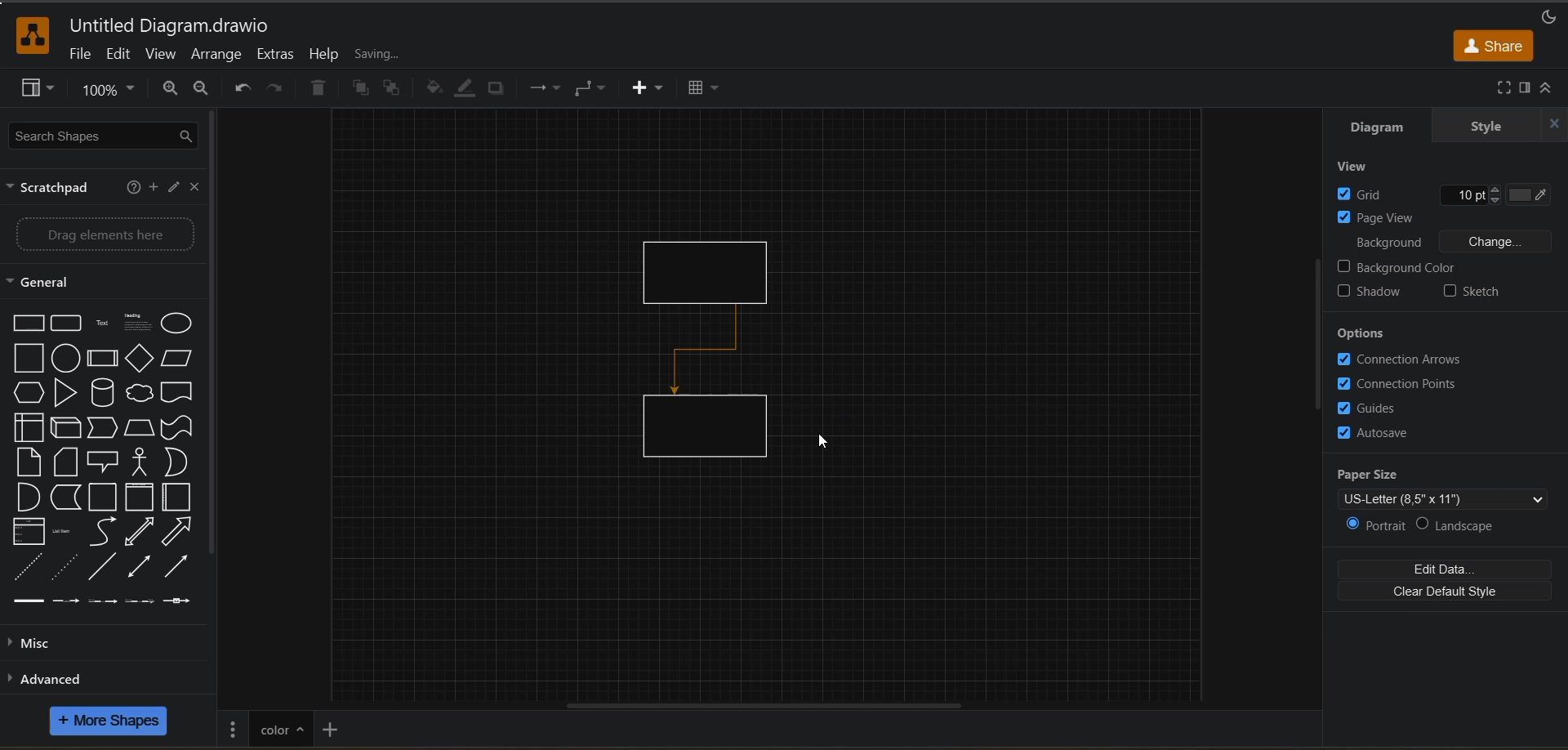 The height and width of the screenshot is (750, 1568). Describe the element at coordinates (180, 359) in the screenshot. I see `Parallelogram` at that location.